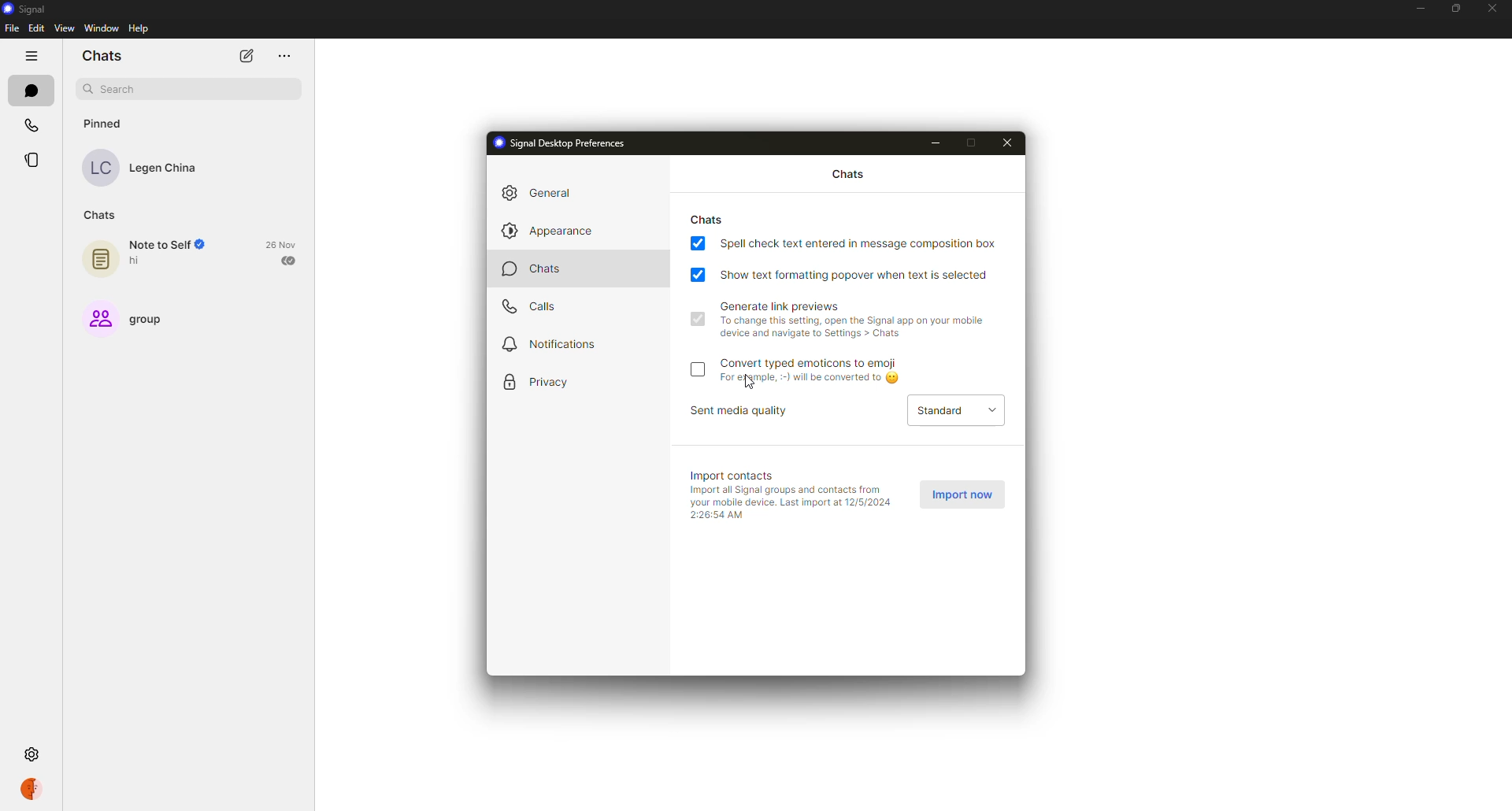  Describe the element at coordinates (287, 55) in the screenshot. I see `more` at that location.